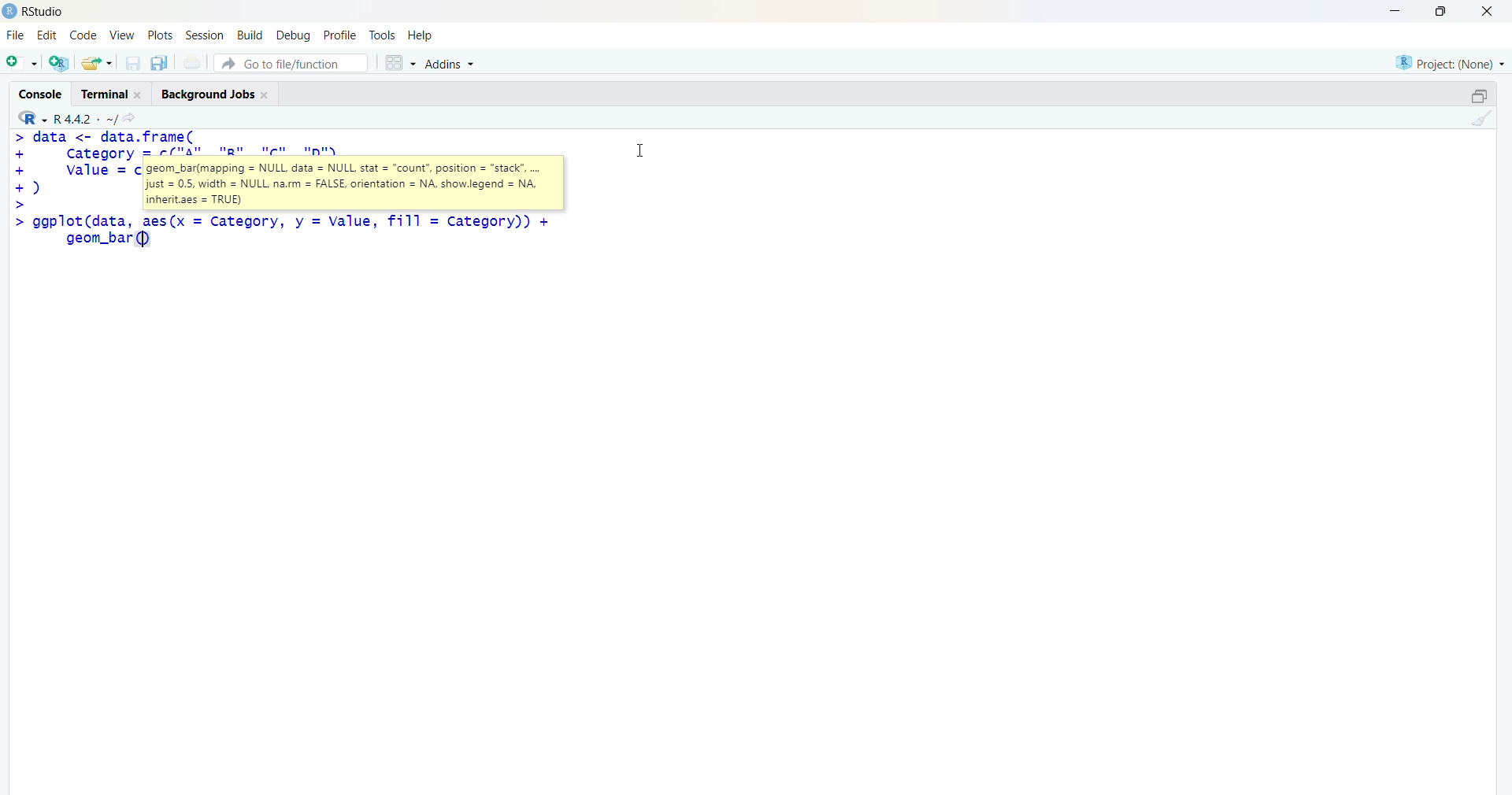  Describe the element at coordinates (399, 62) in the screenshot. I see `grid view` at that location.